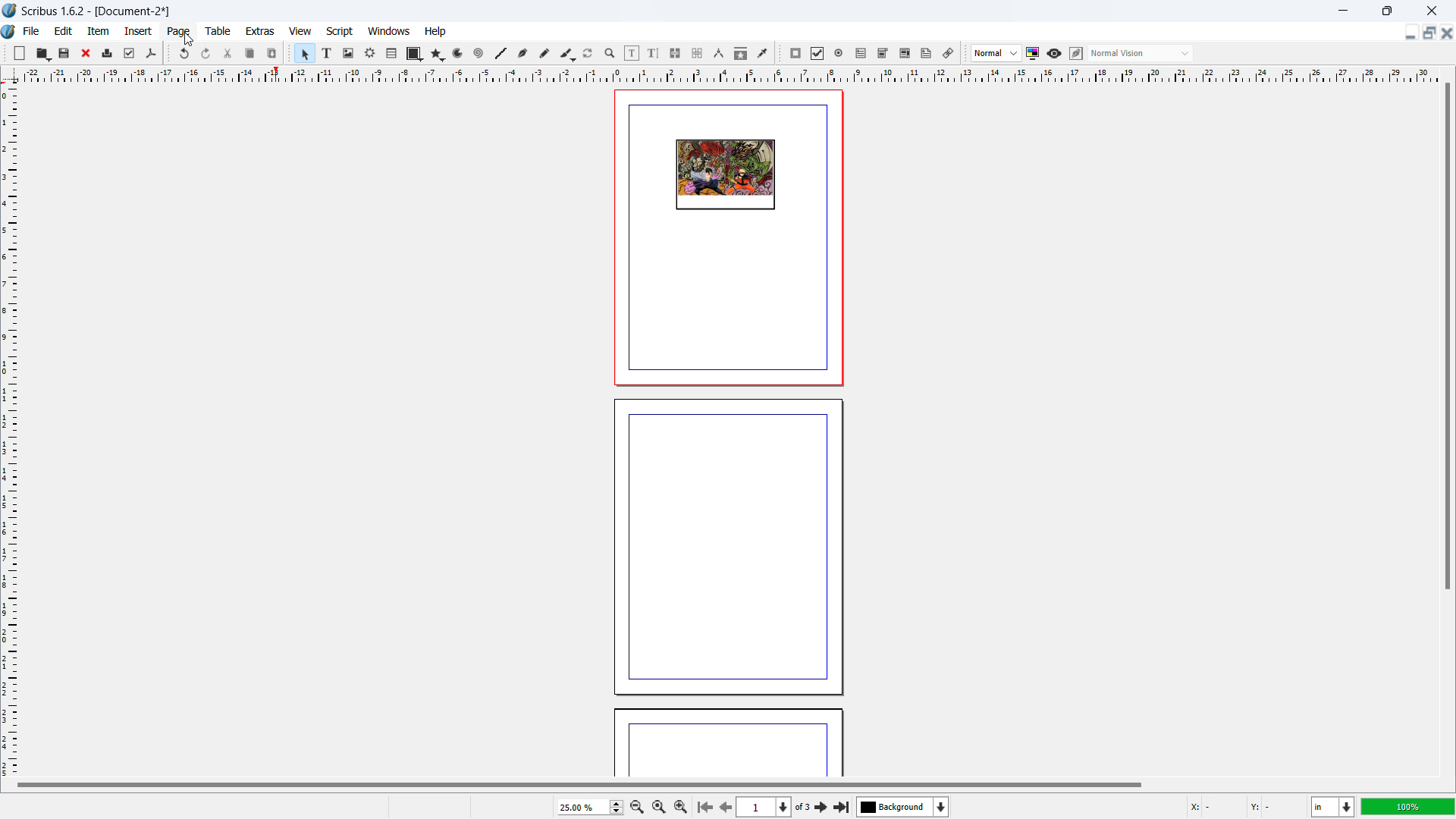 This screenshot has height=819, width=1456. I want to click on zoom level, so click(1408, 806).